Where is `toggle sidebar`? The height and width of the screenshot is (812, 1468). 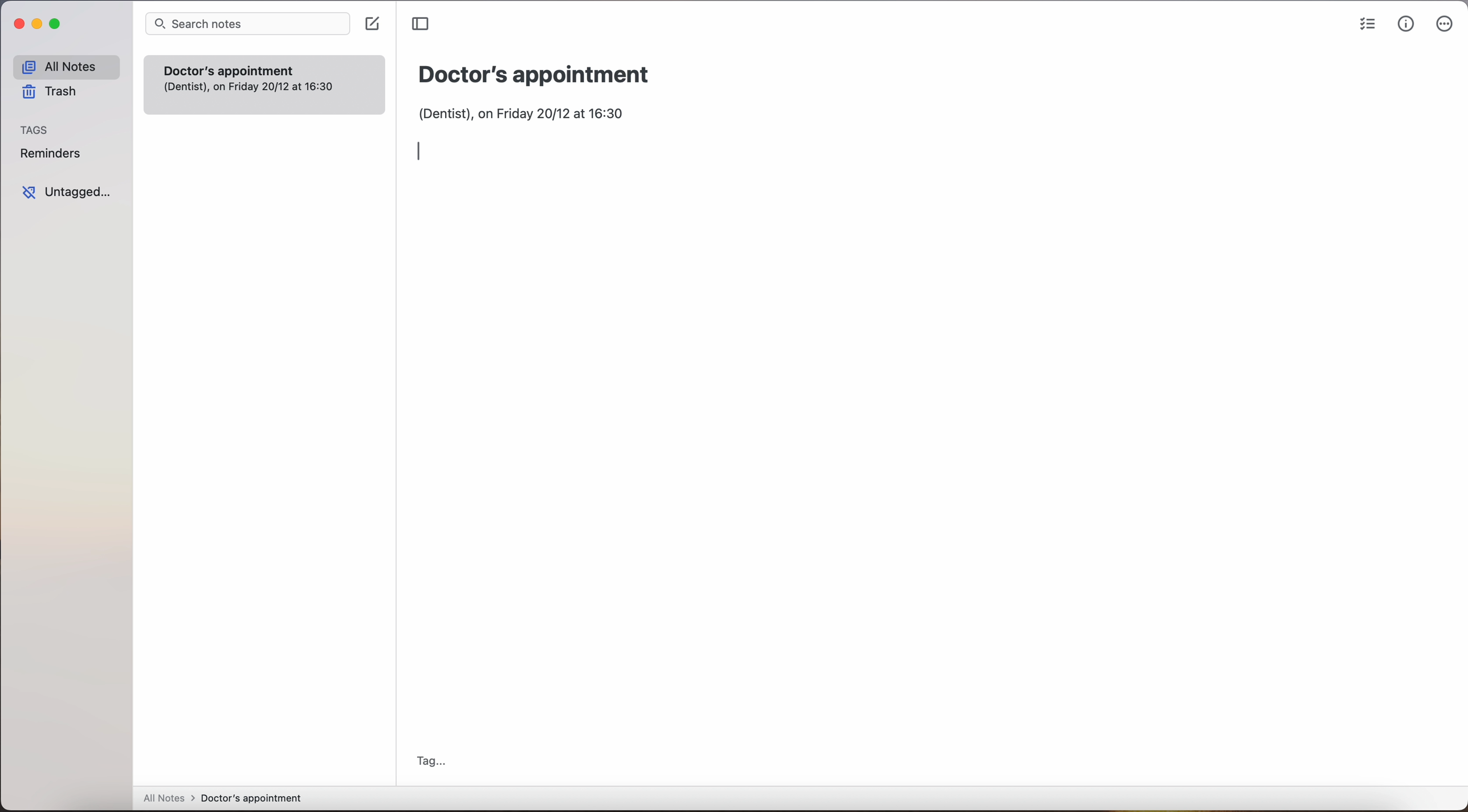 toggle sidebar is located at coordinates (419, 23).